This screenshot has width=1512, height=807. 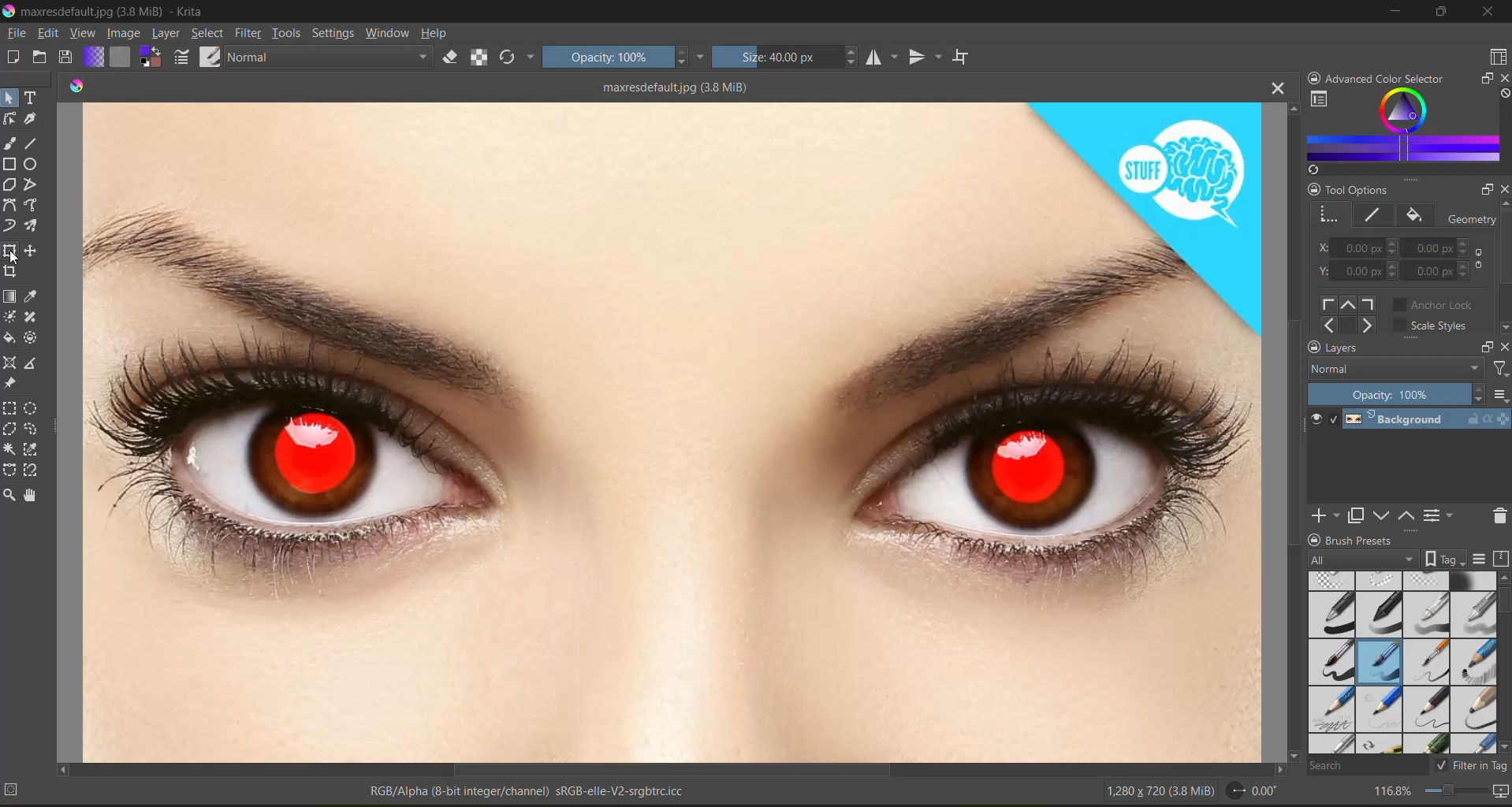 I want to click on options, so click(x=1499, y=395).